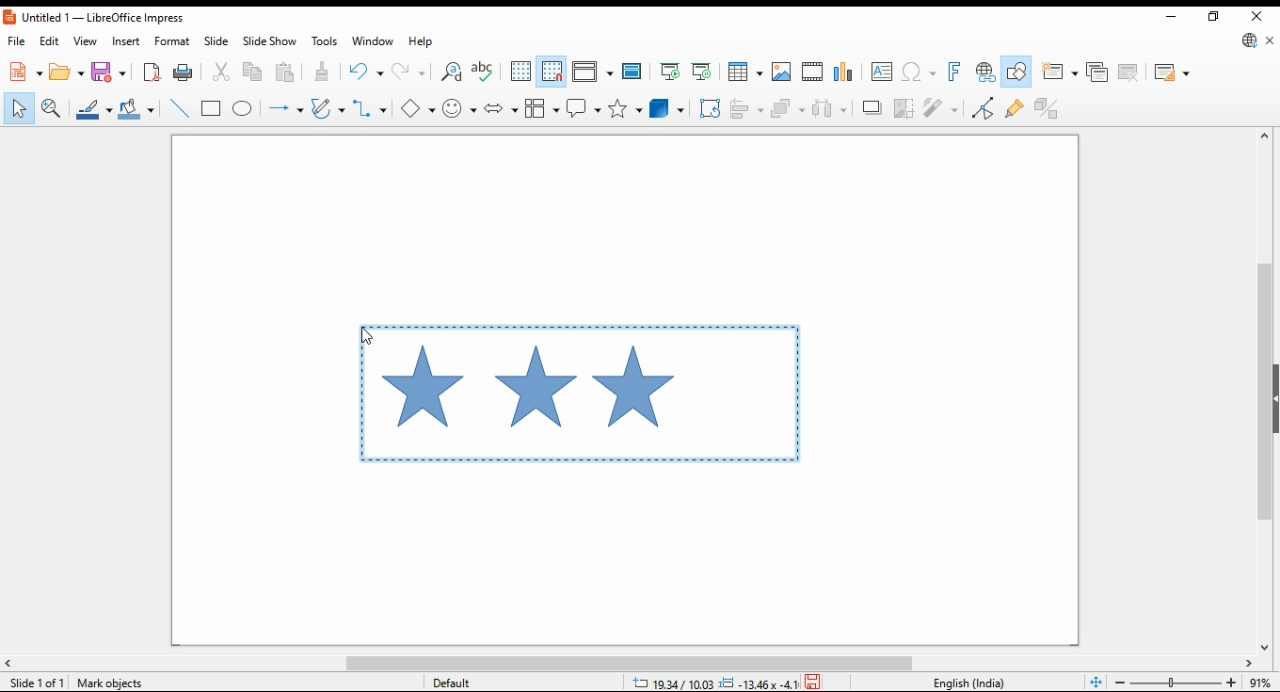 Image resolution: width=1280 pixels, height=692 pixels. Describe the element at coordinates (109, 71) in the screenshot. I see `save` at that location.